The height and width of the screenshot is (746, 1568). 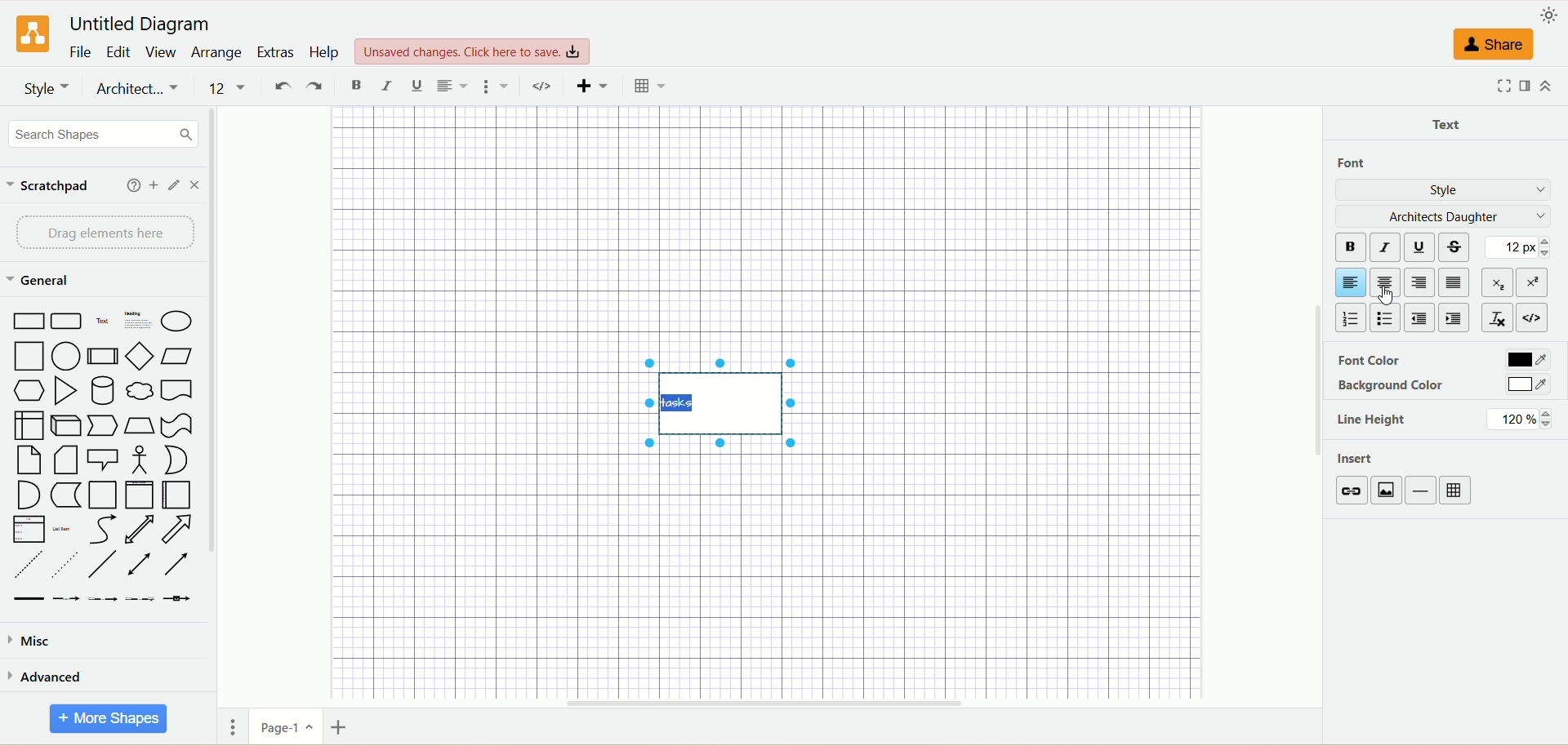 What do you see at coordinates (287, 727) in the screenshot?
I see `page-1` at bounding box center [287, 727].